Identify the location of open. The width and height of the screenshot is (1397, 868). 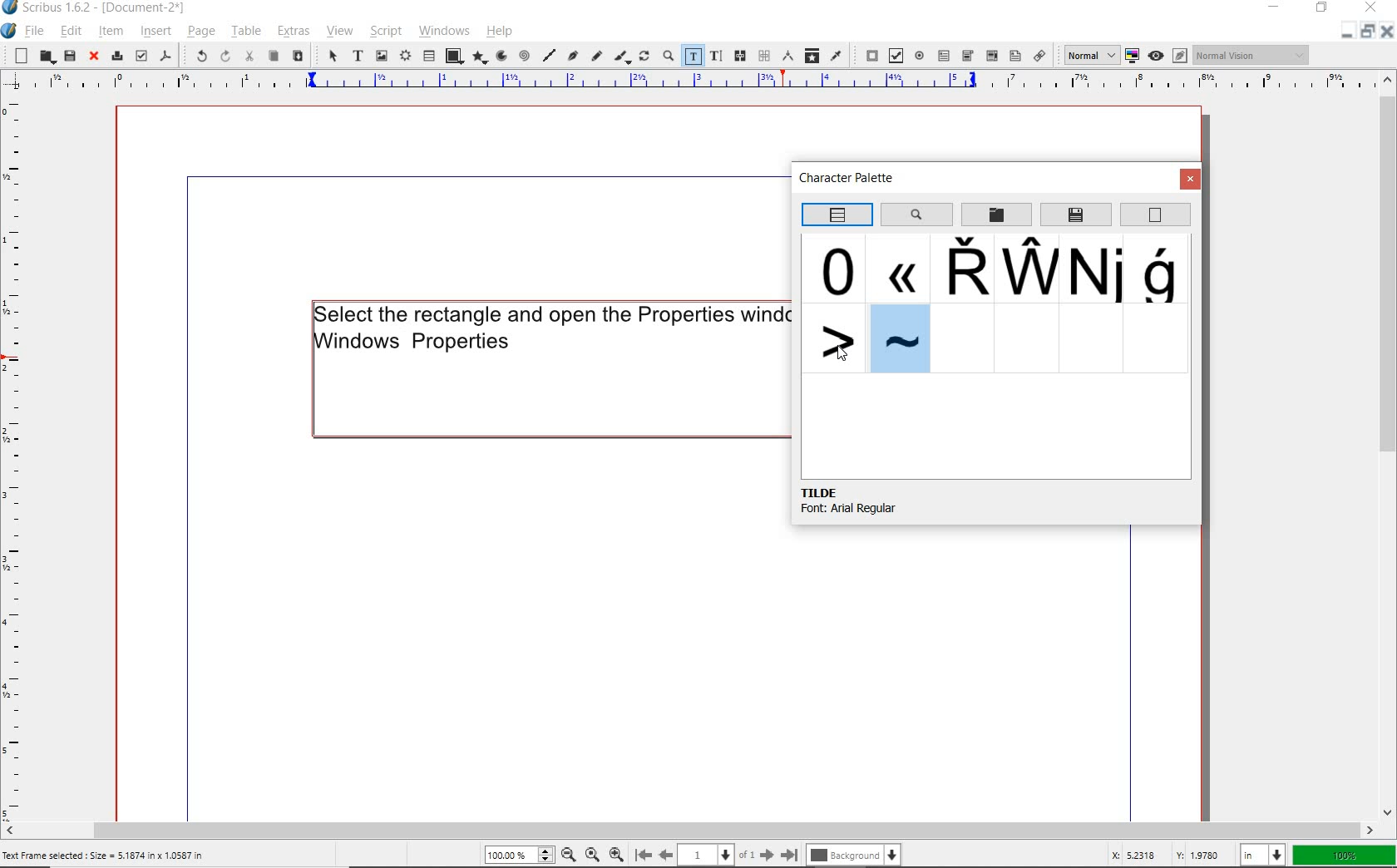
(45, 56).